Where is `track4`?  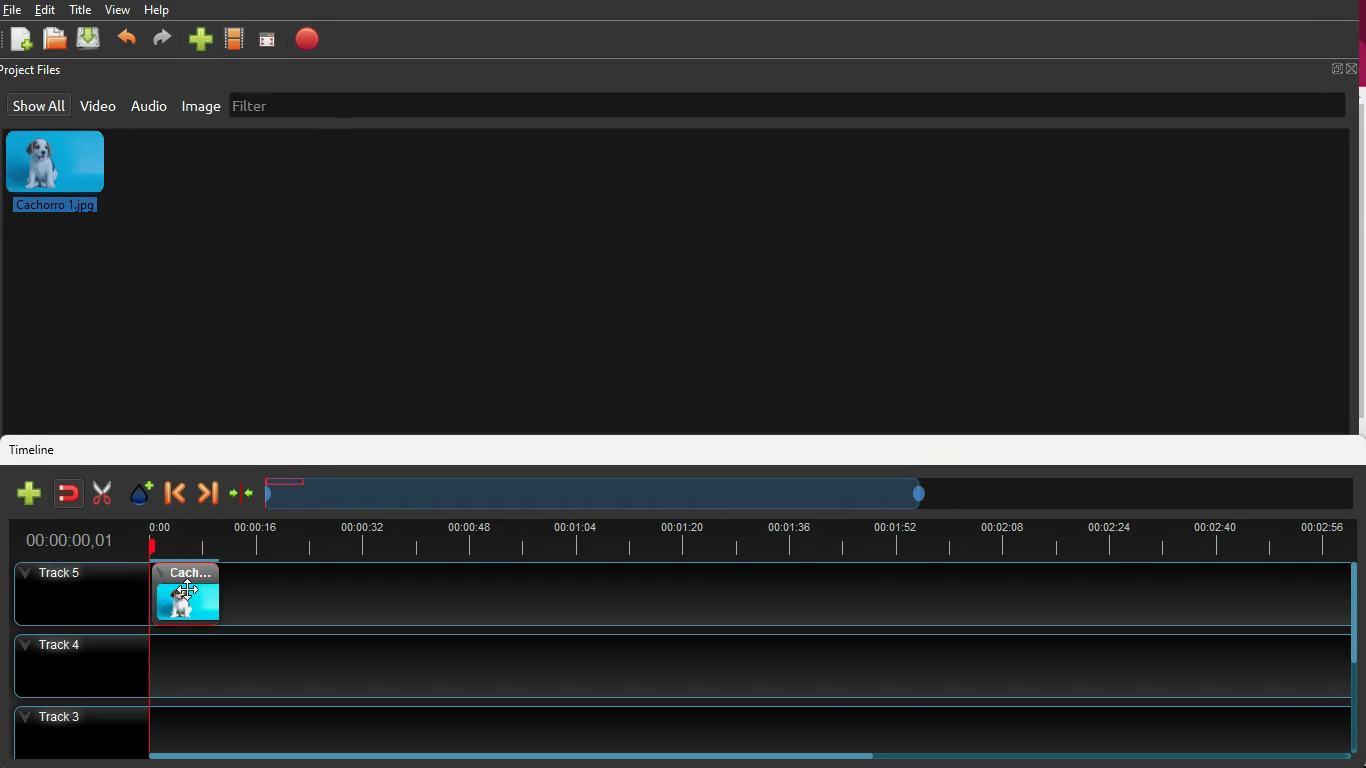 track4 is located at coordinates (670, 663).